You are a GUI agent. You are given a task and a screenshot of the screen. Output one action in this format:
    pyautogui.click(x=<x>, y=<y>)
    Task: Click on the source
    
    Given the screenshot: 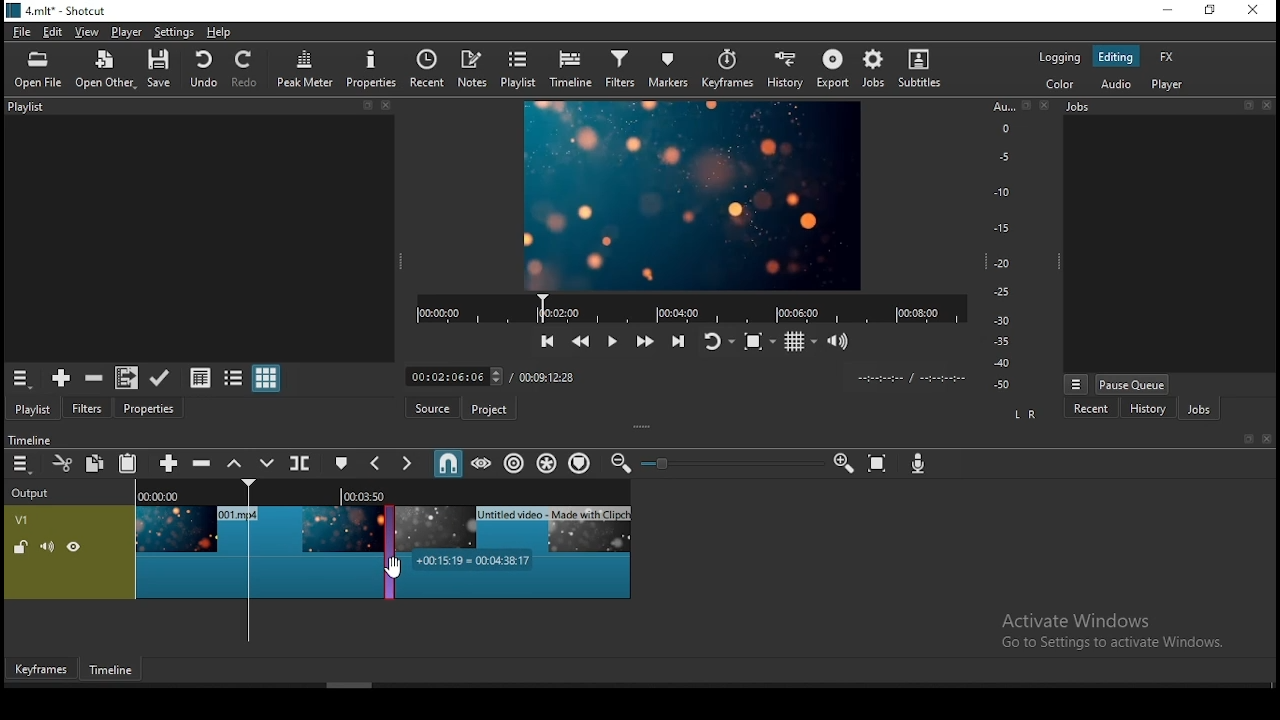 What is the action you would take?
    pyautogui.click(x=428, y=409)
    